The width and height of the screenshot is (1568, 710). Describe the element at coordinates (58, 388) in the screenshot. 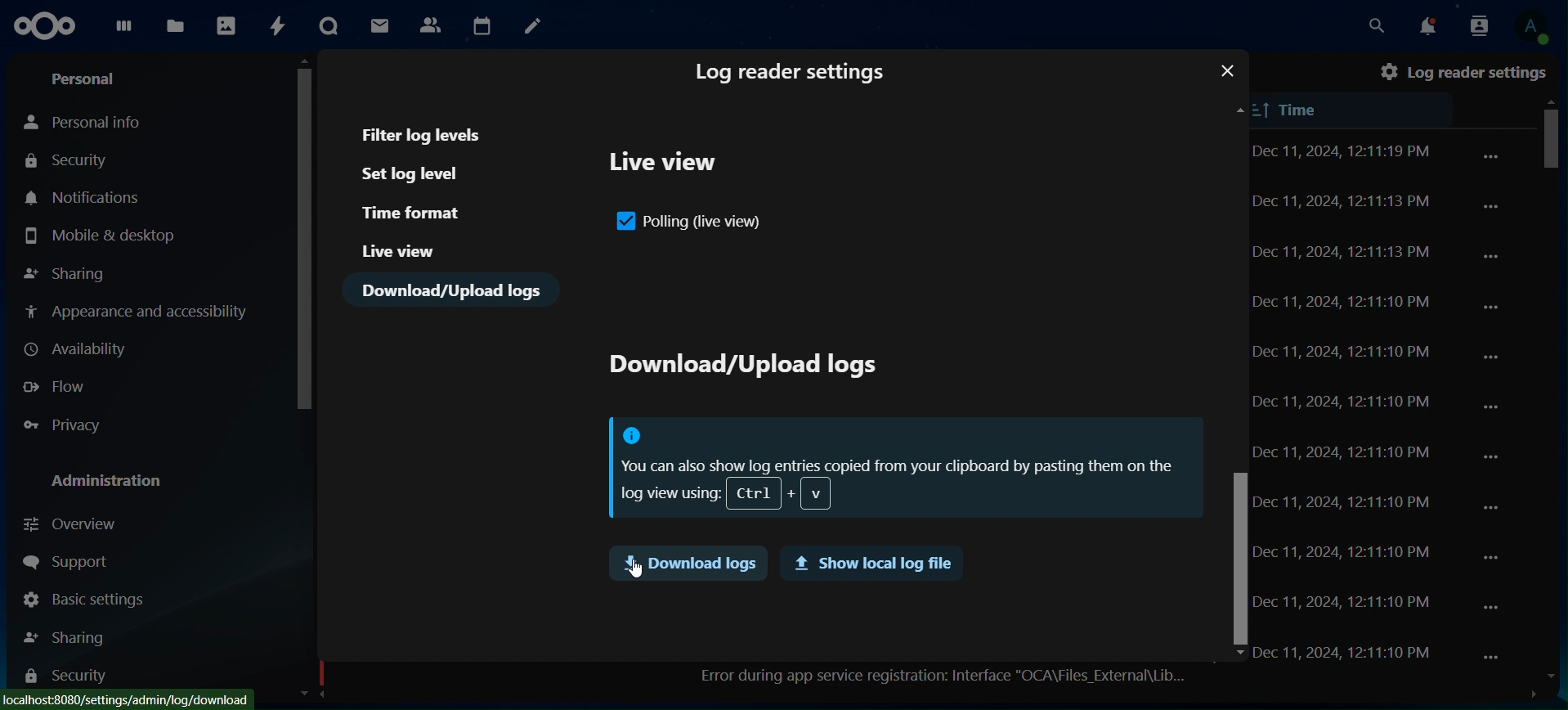

I see `flow` at that location.